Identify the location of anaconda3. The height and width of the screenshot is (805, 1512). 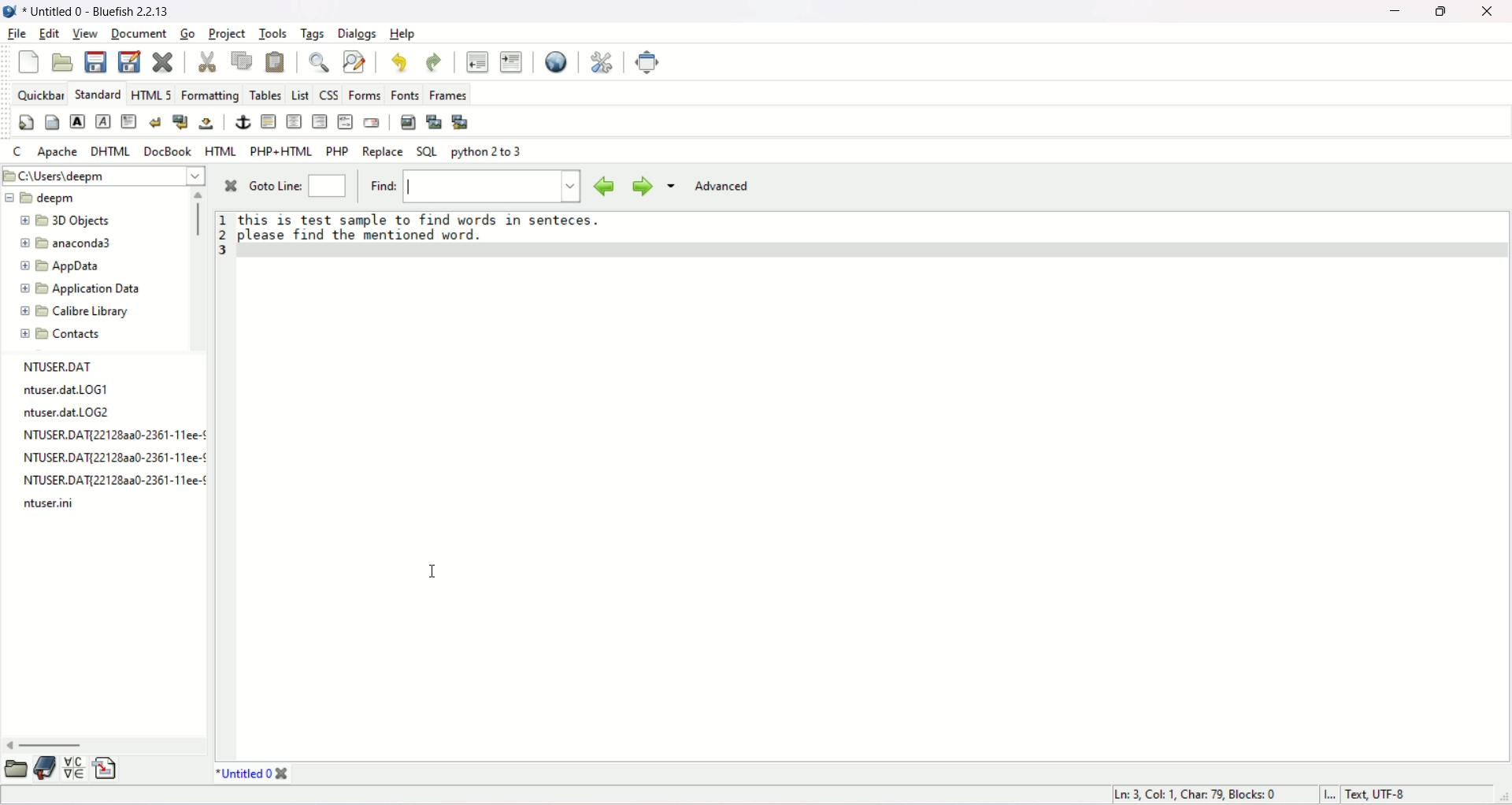
(67, 243).